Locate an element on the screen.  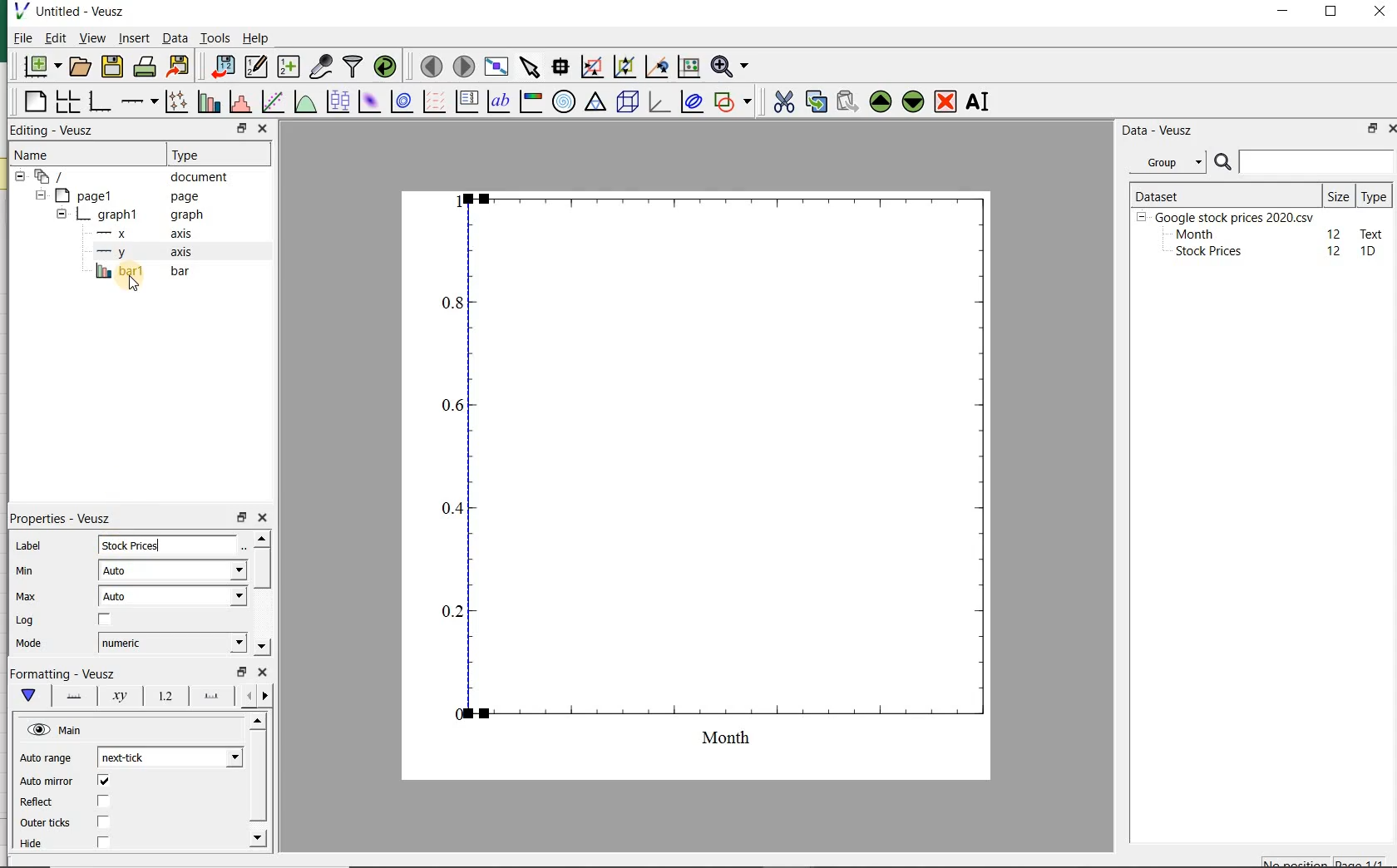
view plot full screen is located at coordinates (496, 67).